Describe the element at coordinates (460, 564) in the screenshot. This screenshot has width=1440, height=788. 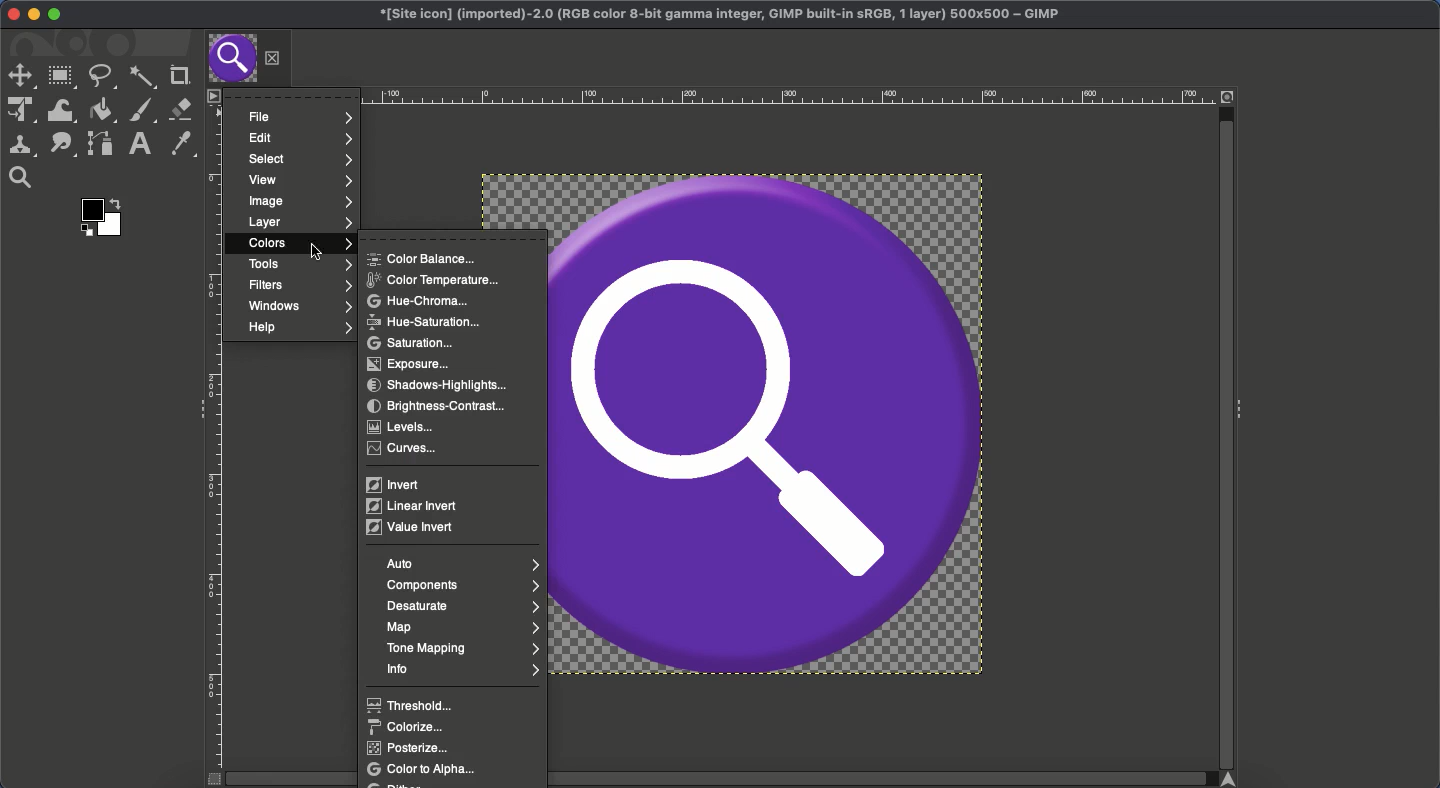
I see `Auto` at that location.